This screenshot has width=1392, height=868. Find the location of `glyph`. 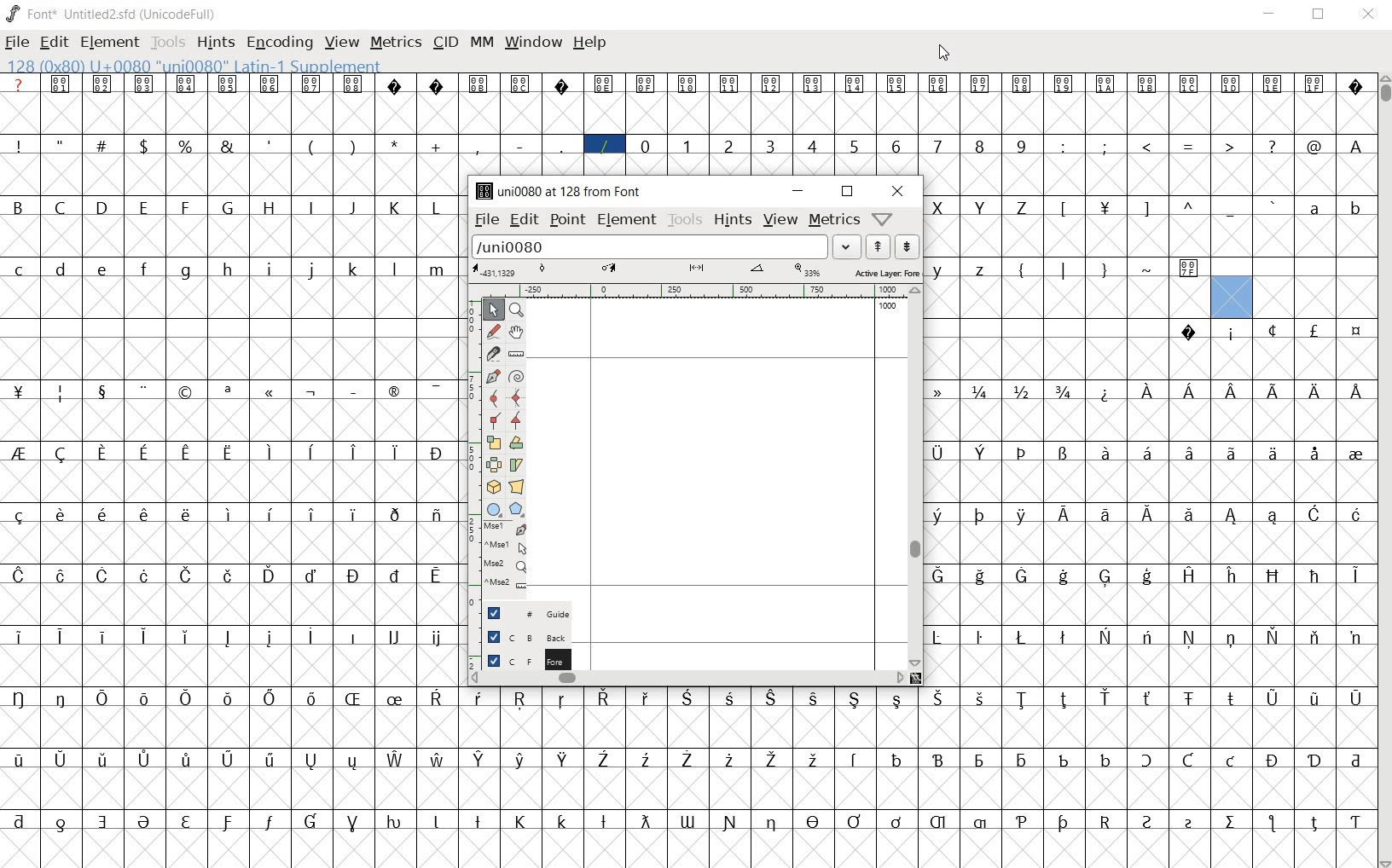

glyph is located at coordinates (61, 514).